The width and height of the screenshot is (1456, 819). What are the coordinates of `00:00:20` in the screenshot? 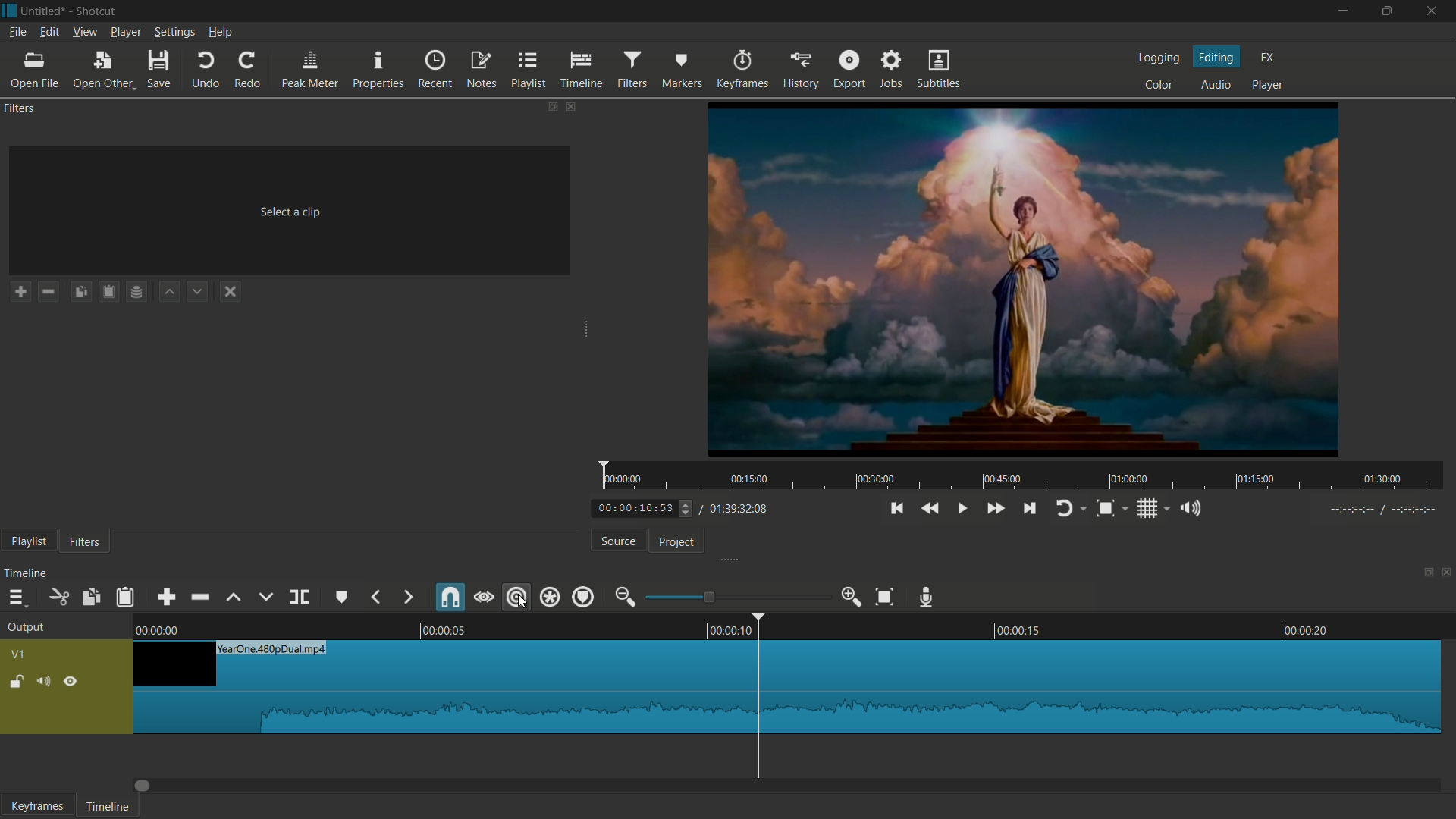 It's located at (1307, 629).